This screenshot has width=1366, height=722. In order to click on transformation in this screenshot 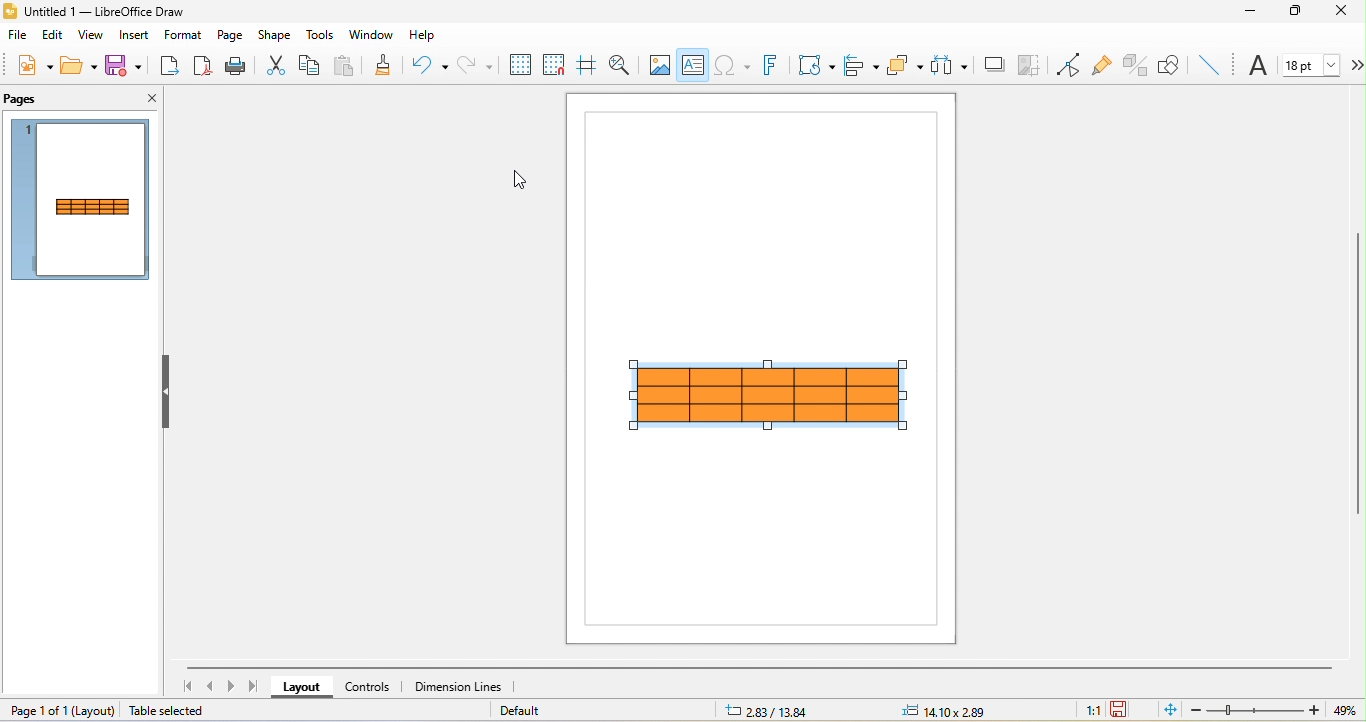, I will do `click(812, 63)`.